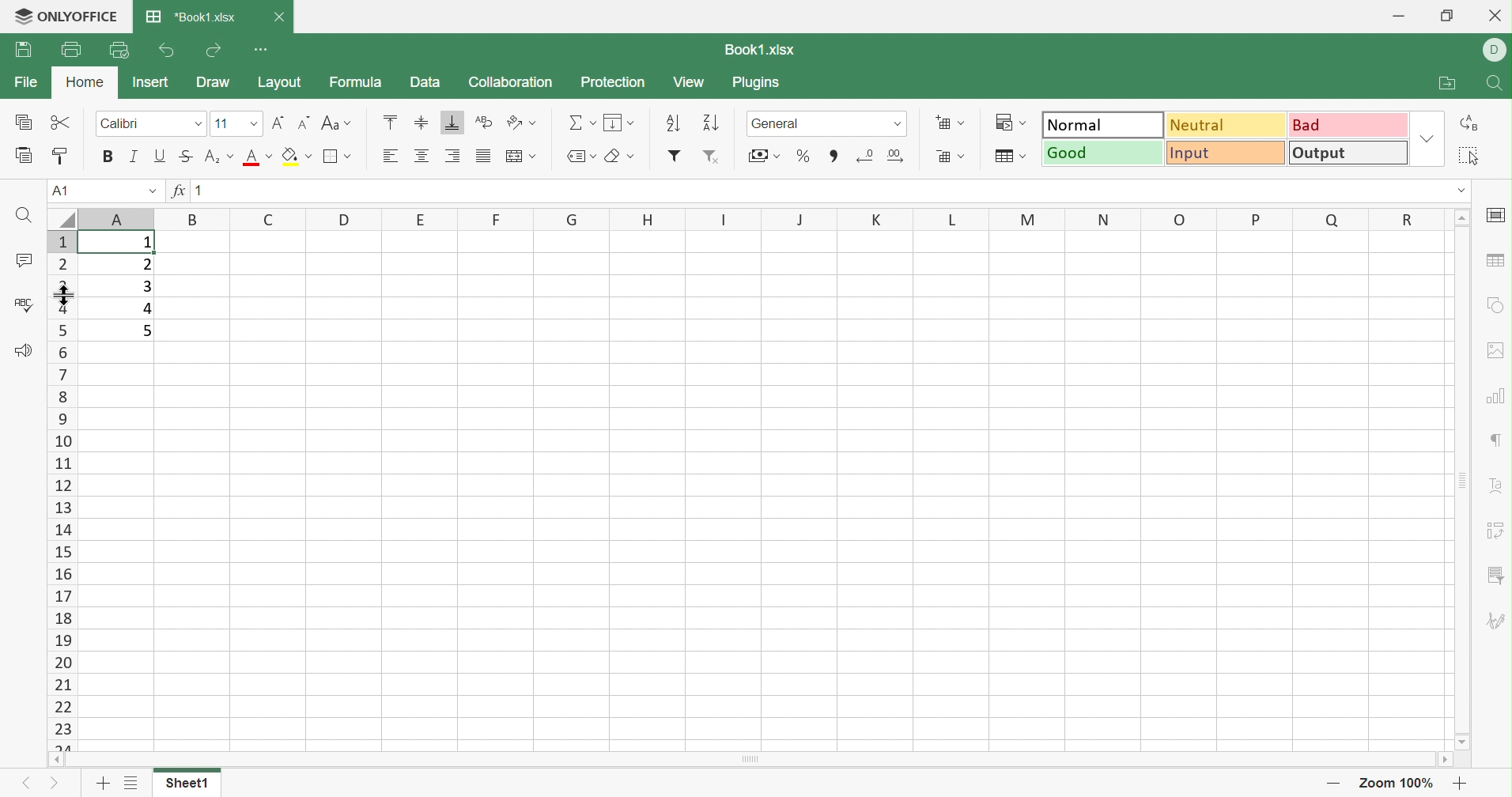  I want to click on Row numbers, so click(62, 493).